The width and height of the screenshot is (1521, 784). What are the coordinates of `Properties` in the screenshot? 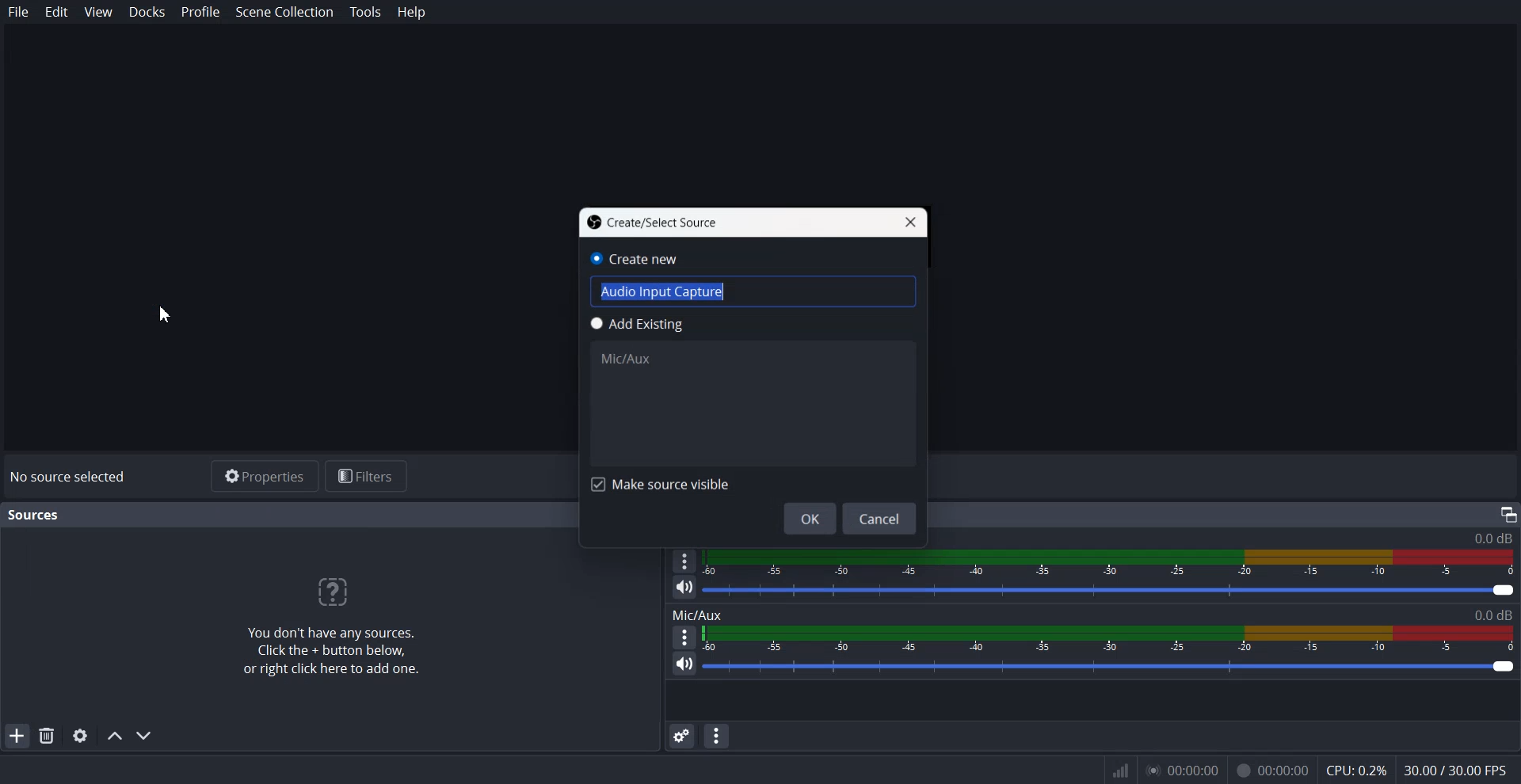 It's located at (263, 476).